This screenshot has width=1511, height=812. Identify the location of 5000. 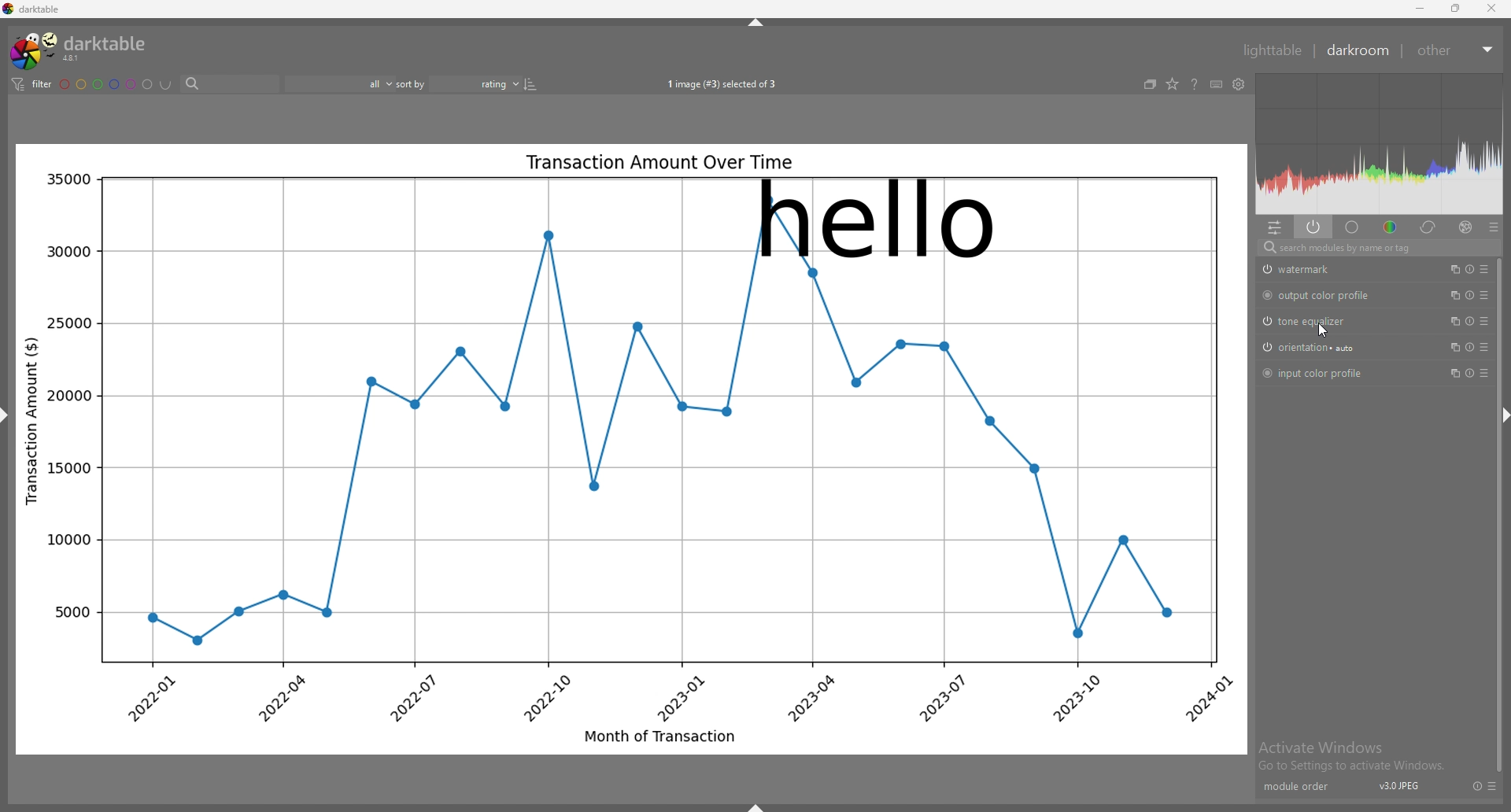
(71, 611).